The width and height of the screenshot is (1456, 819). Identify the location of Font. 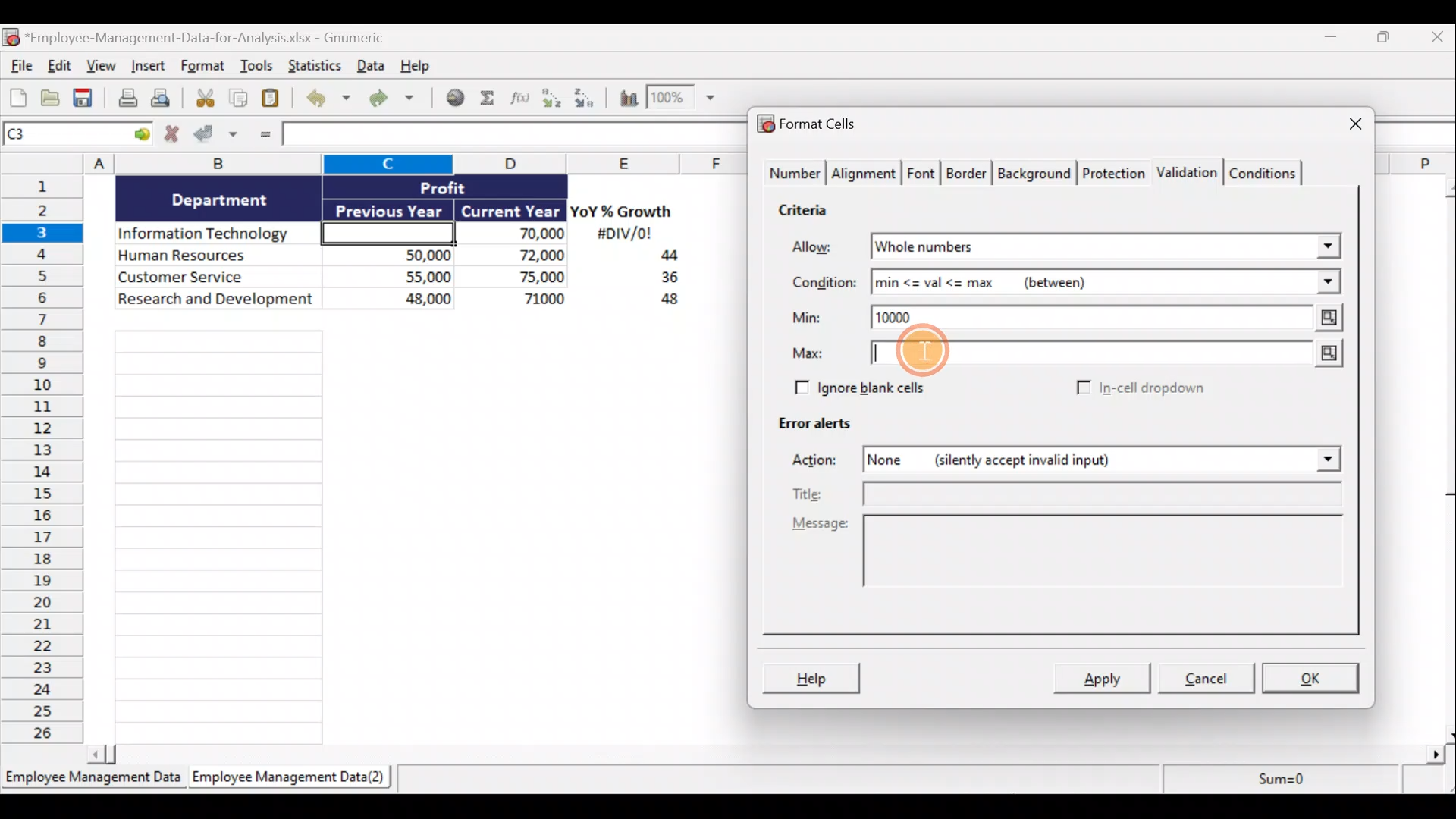
(922, 171).